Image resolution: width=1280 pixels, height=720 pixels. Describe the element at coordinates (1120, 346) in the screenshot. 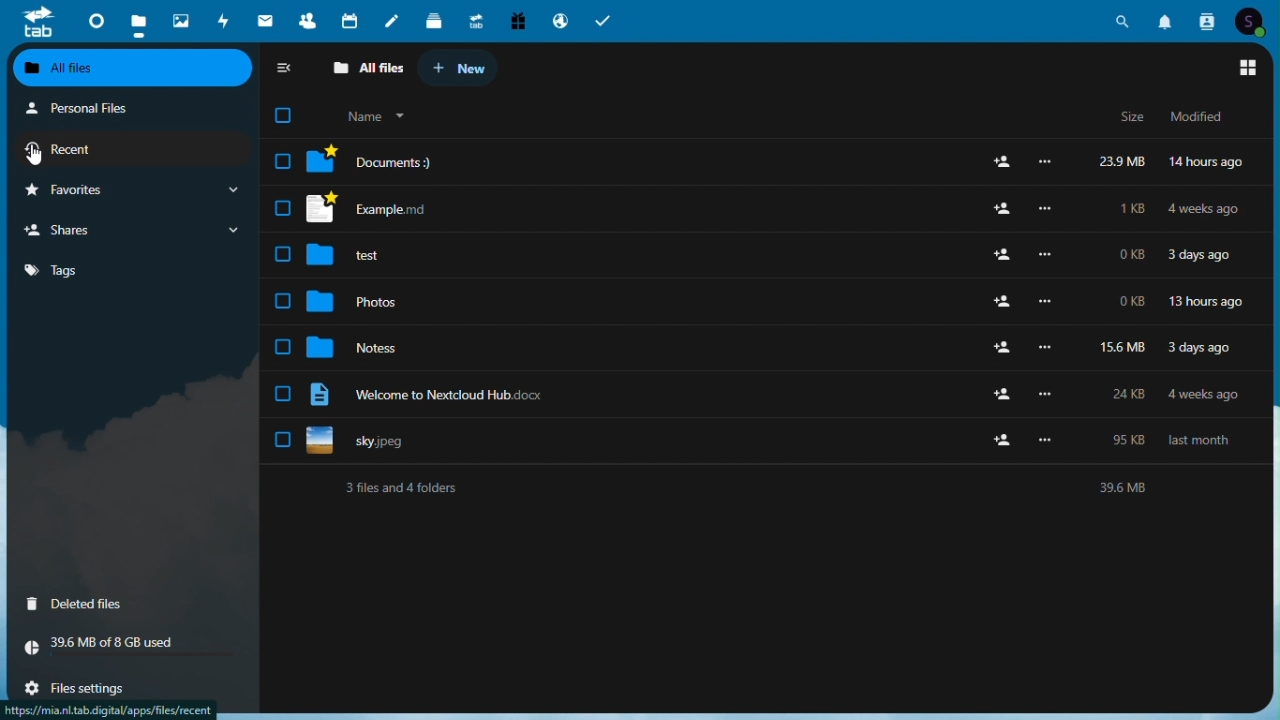

I see `15.6MB` at that location.